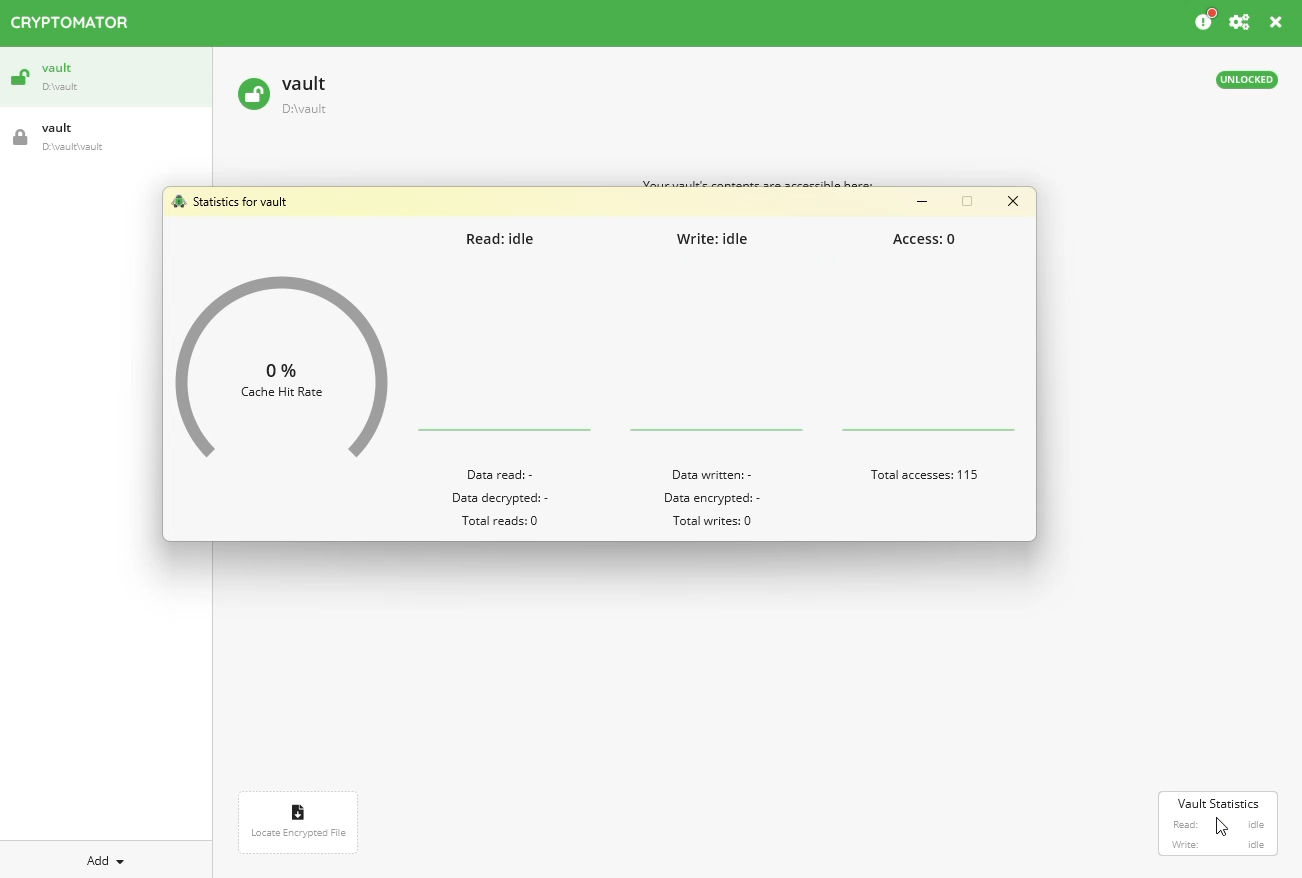 The width and height of the screenshot is (1302, 878). What do you see at coordinates (922, 202) in the screenshot?
I see `minimize` at bounding box center [922, 202].